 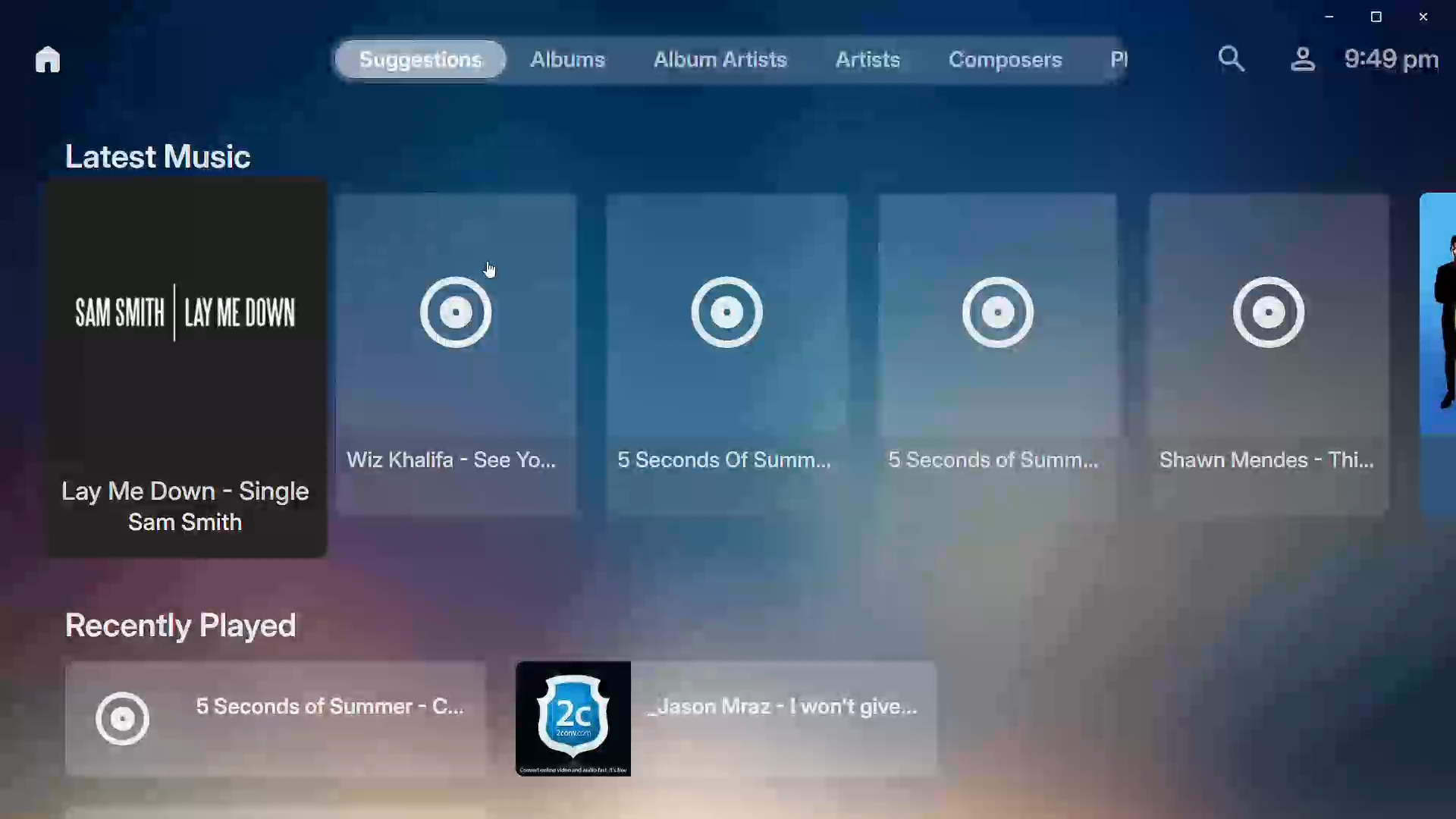 What do you see at coordinates (270, 717) in the screenshot?
I see `5 Seconds of Summer` at bounding box center [270, 717].